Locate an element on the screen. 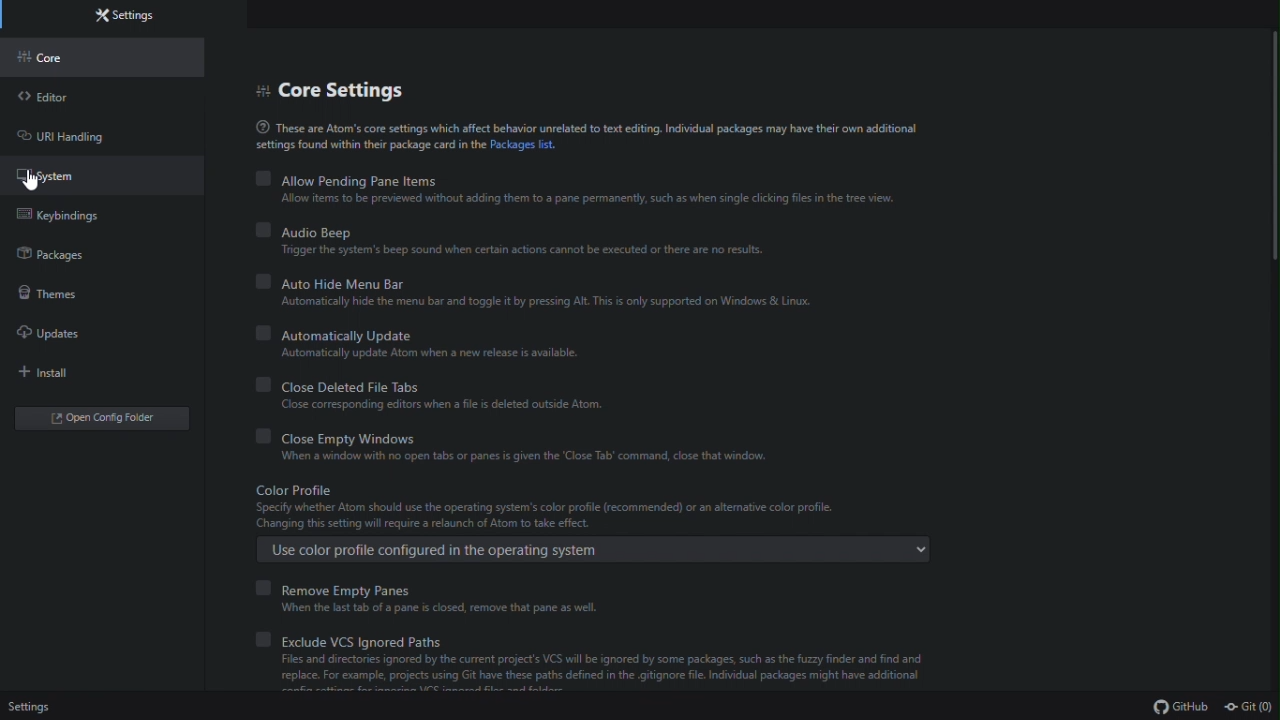 The height and width of the screenshot is (720, 1280). Exclude VCS ignored paths is located at coordinates (613, 640).